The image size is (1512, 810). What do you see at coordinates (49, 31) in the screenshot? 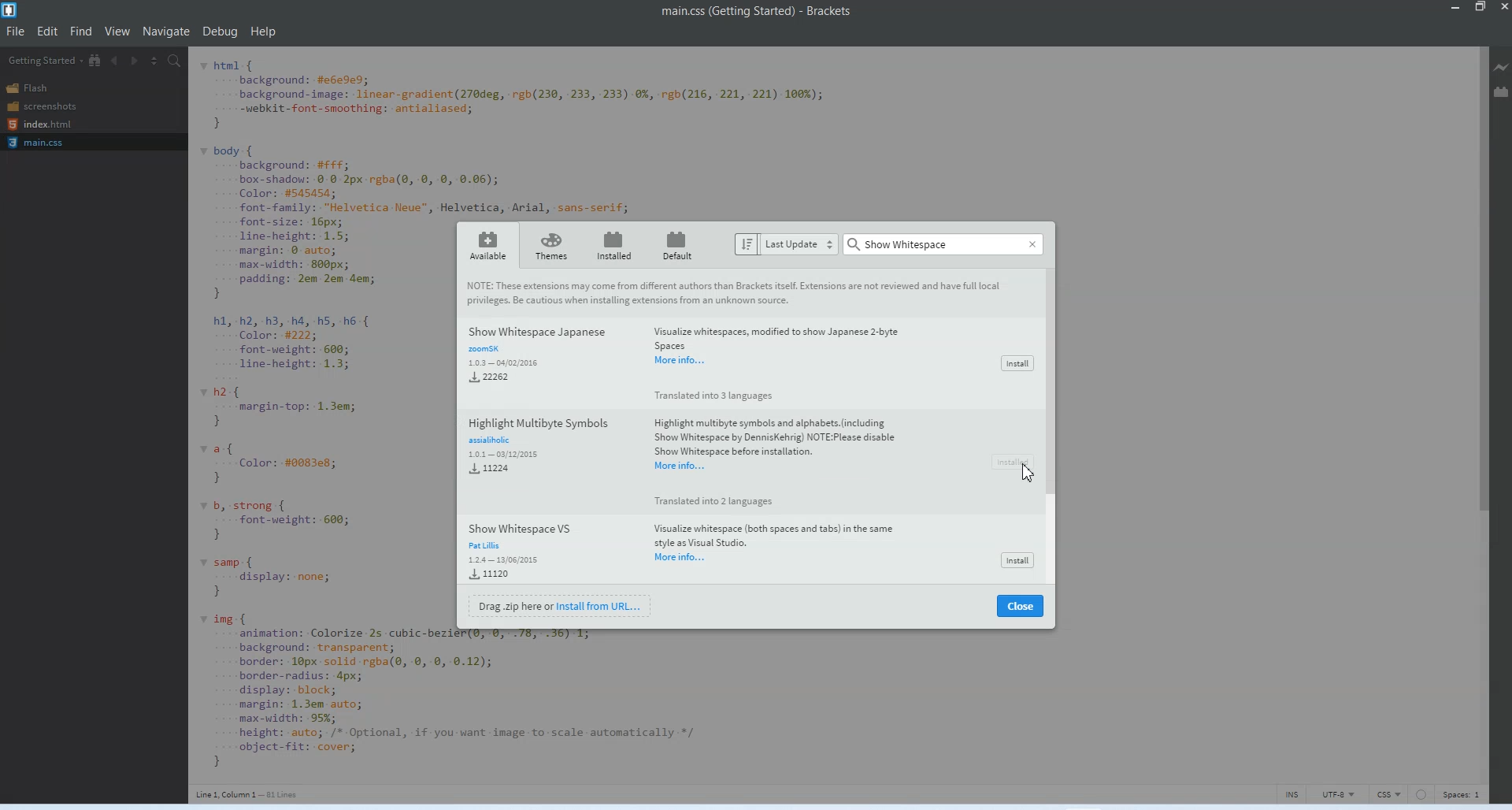
I see `Edit` at bounding box center [49, 31].